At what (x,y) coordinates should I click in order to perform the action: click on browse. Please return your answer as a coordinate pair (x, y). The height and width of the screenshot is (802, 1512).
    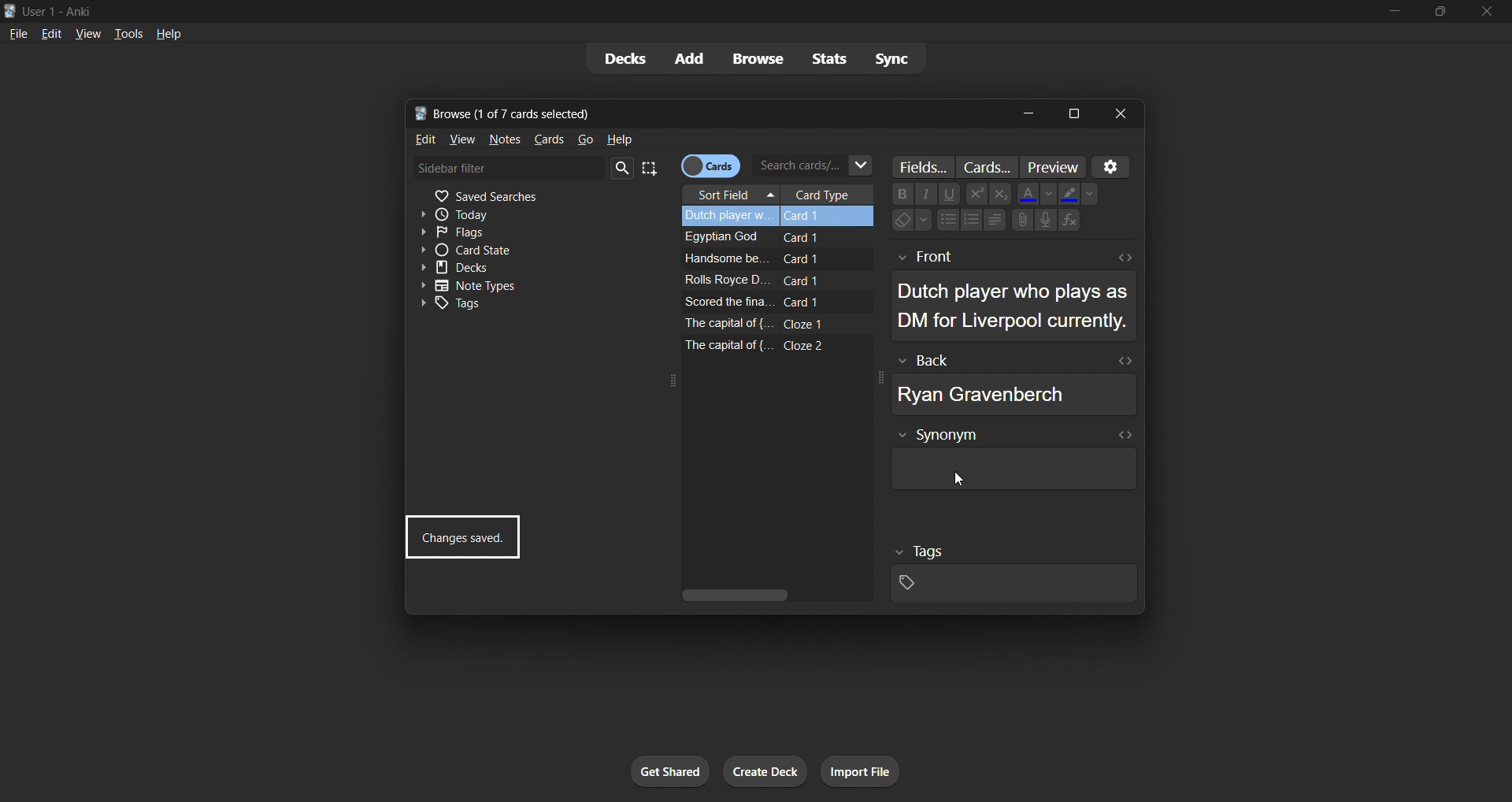
    Looking at the image, I should click on (757, 60).